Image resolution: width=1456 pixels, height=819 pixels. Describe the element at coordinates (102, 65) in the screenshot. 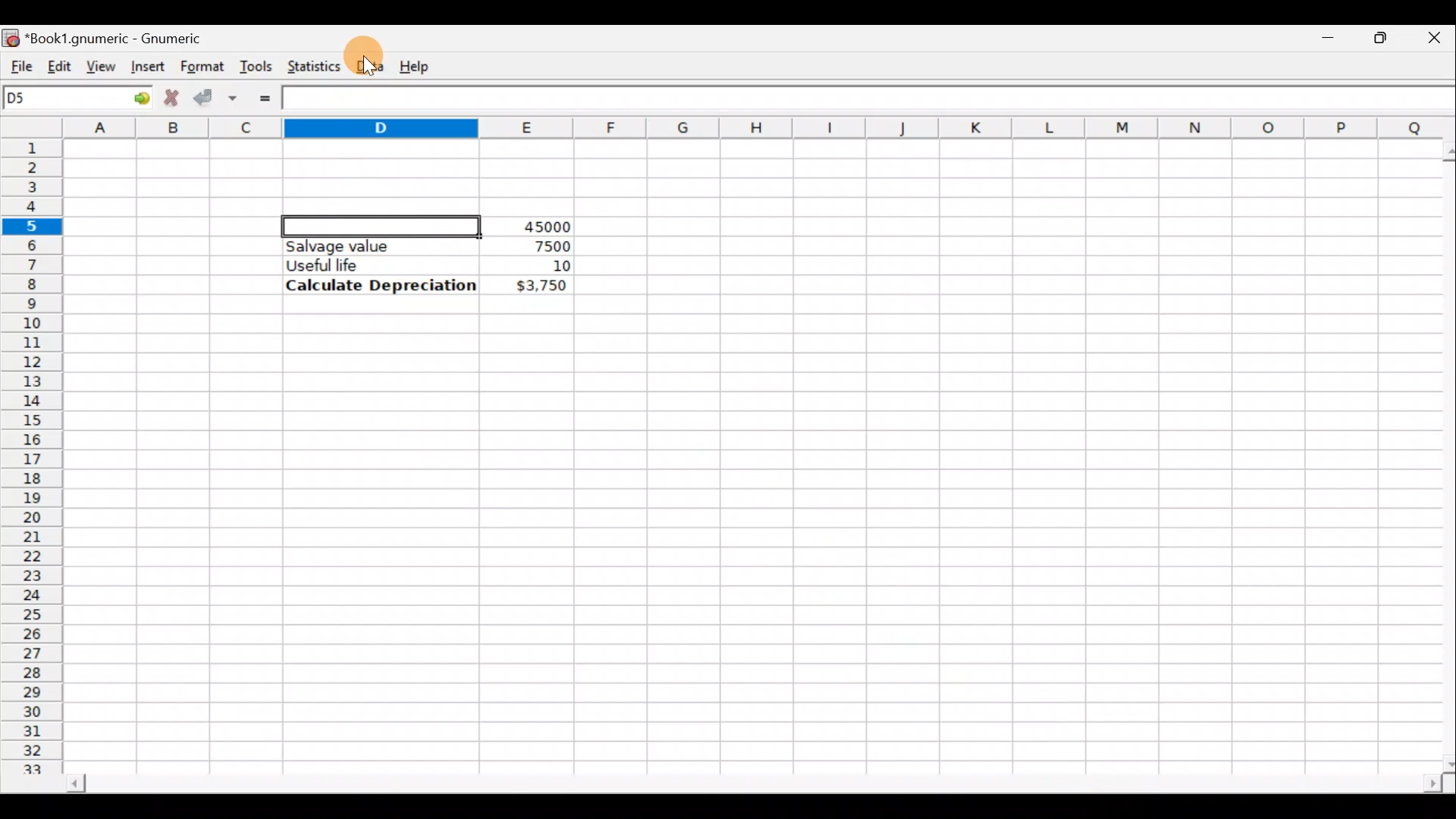

I see `View` at that location.